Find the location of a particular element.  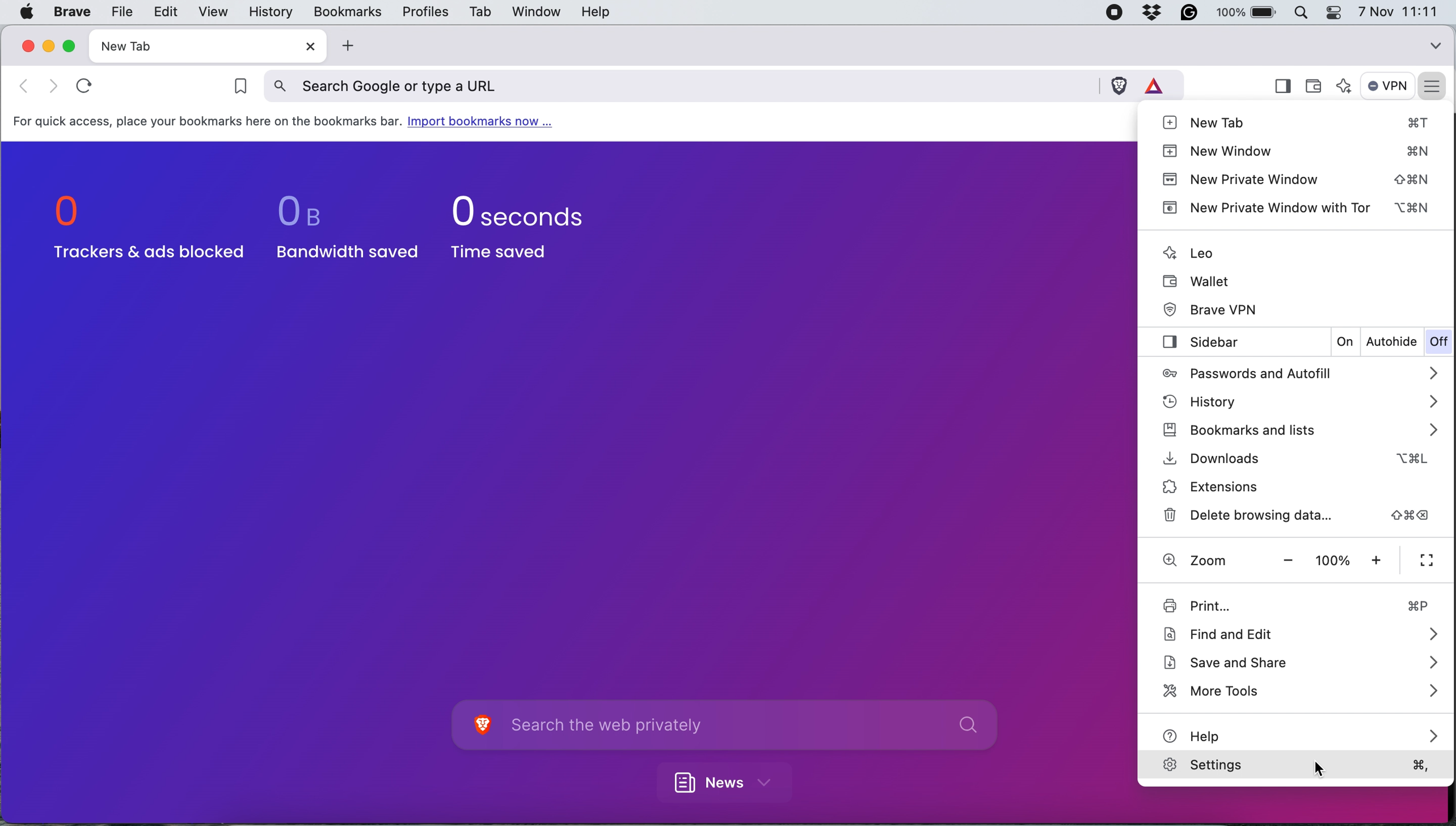

rewards is located at coordinates (1160, 84).